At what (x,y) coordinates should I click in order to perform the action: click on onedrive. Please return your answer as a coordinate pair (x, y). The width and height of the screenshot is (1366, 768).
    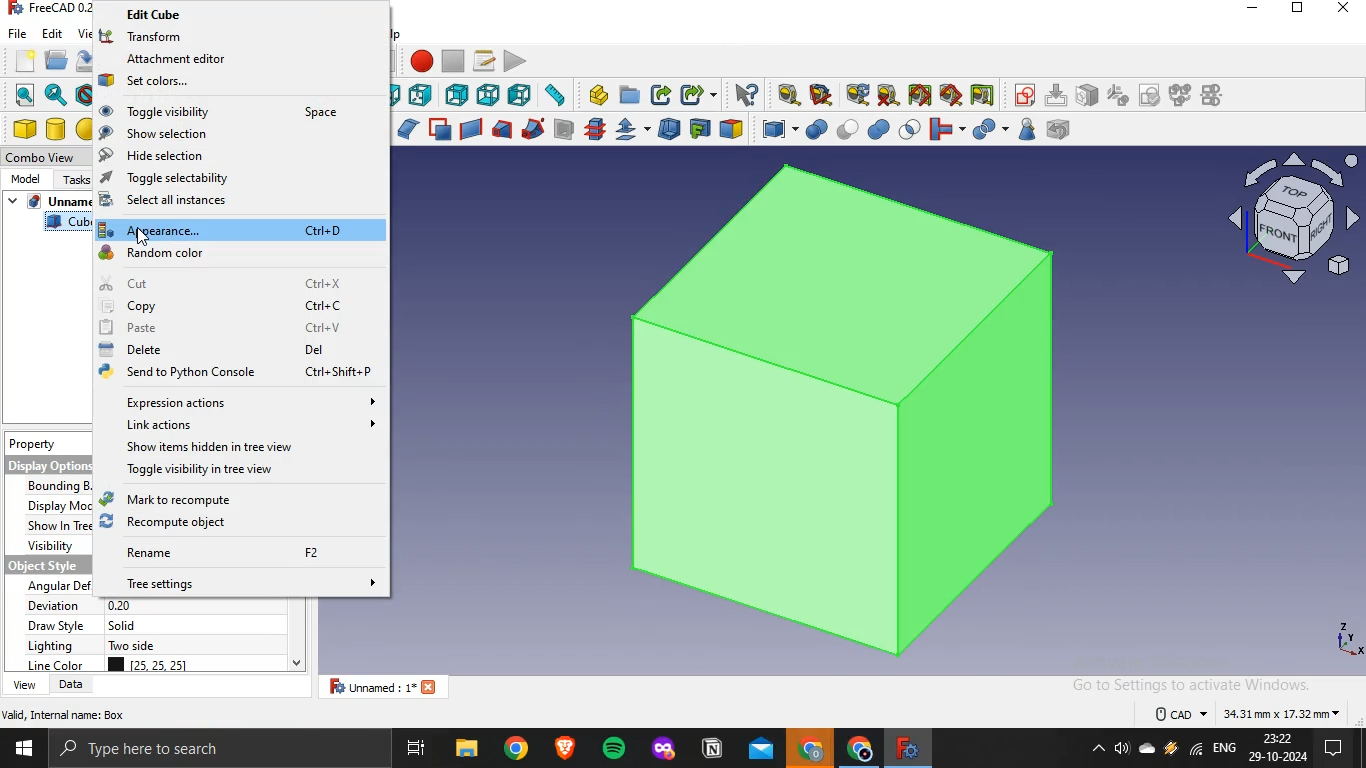
    Looking at the image, I should click on (1147, 750).